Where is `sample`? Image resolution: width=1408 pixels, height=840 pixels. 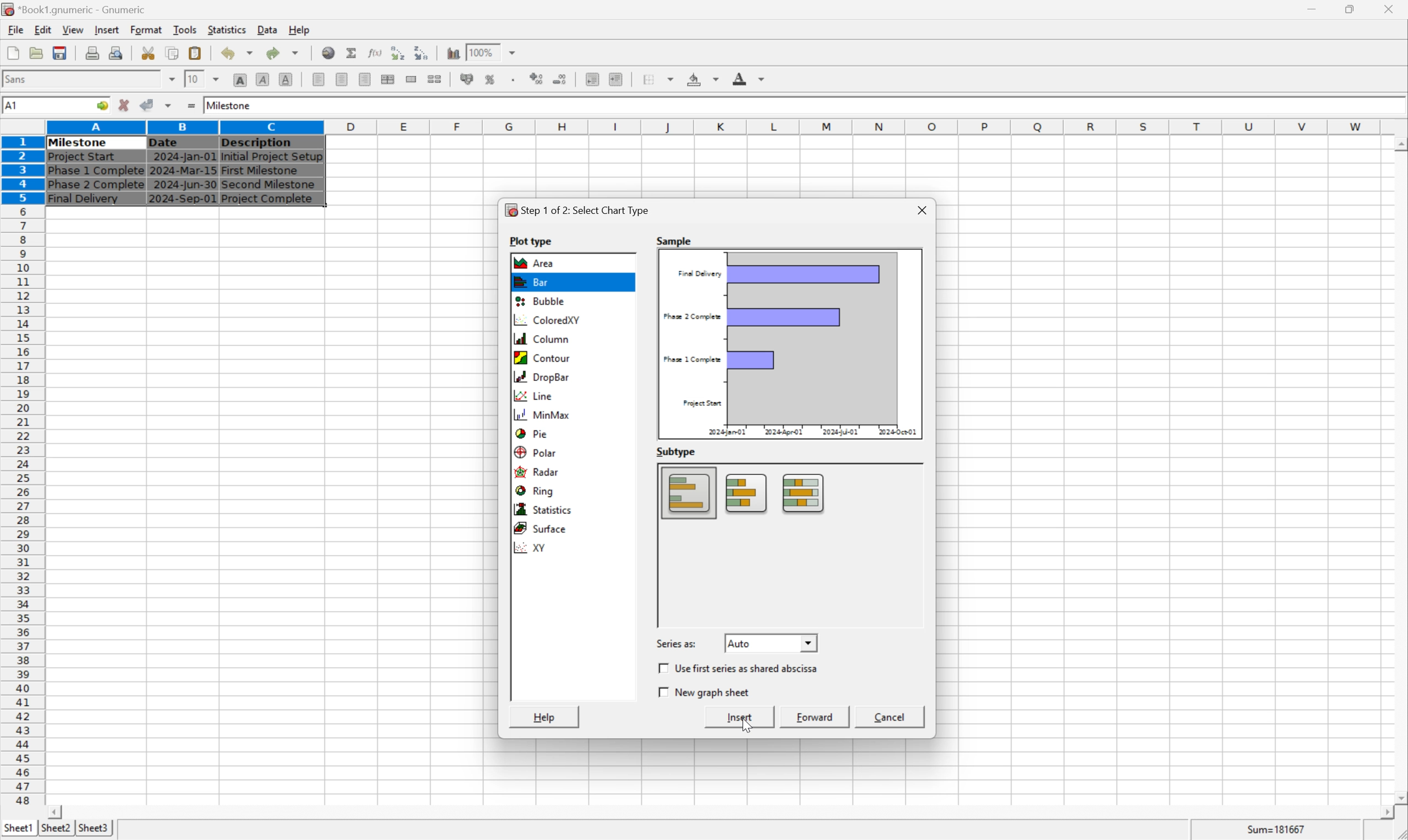 sample is located at coordinates (675, 239).